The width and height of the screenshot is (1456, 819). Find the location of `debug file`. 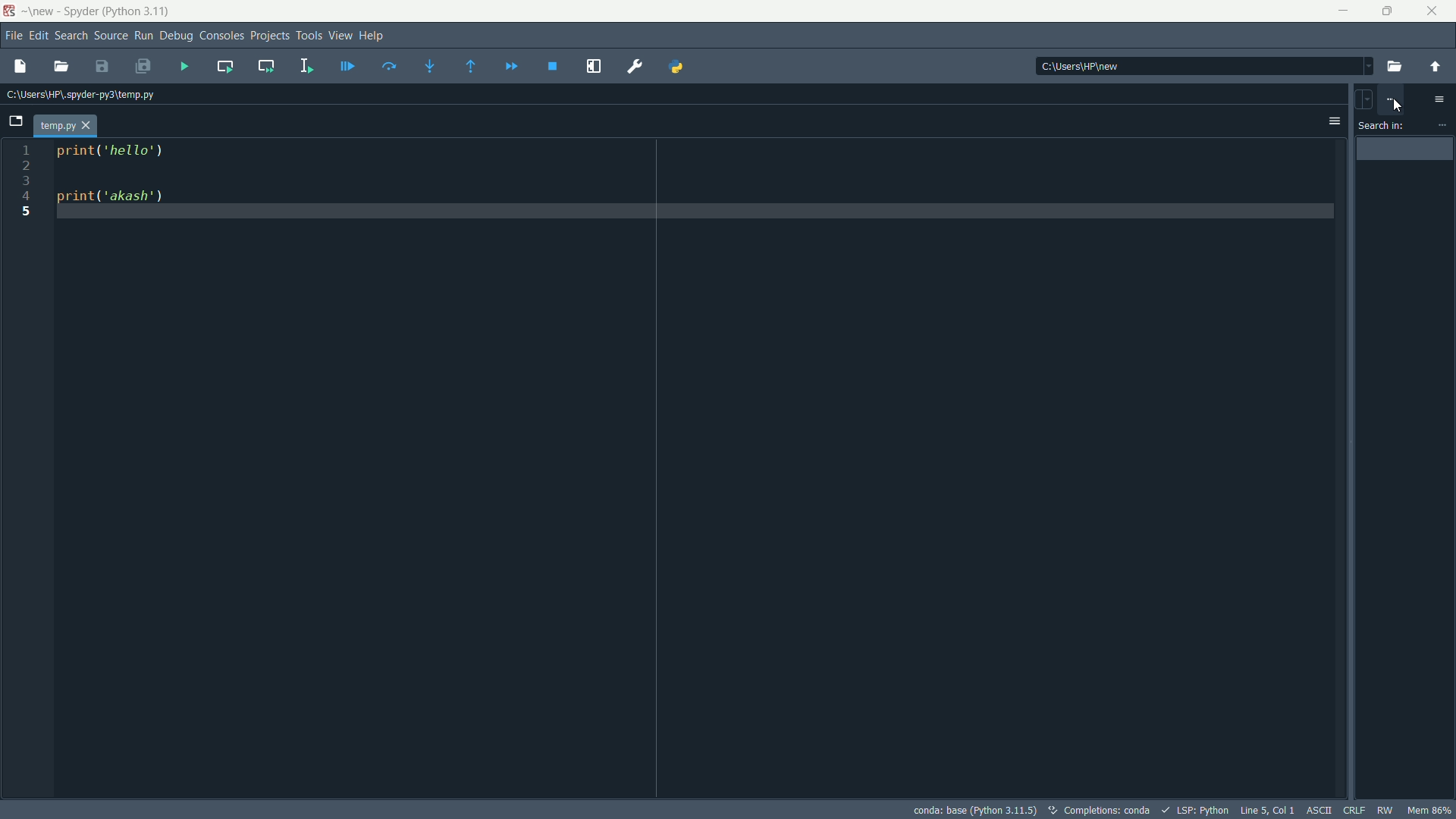

debug file is located at coordinates (348, 64).